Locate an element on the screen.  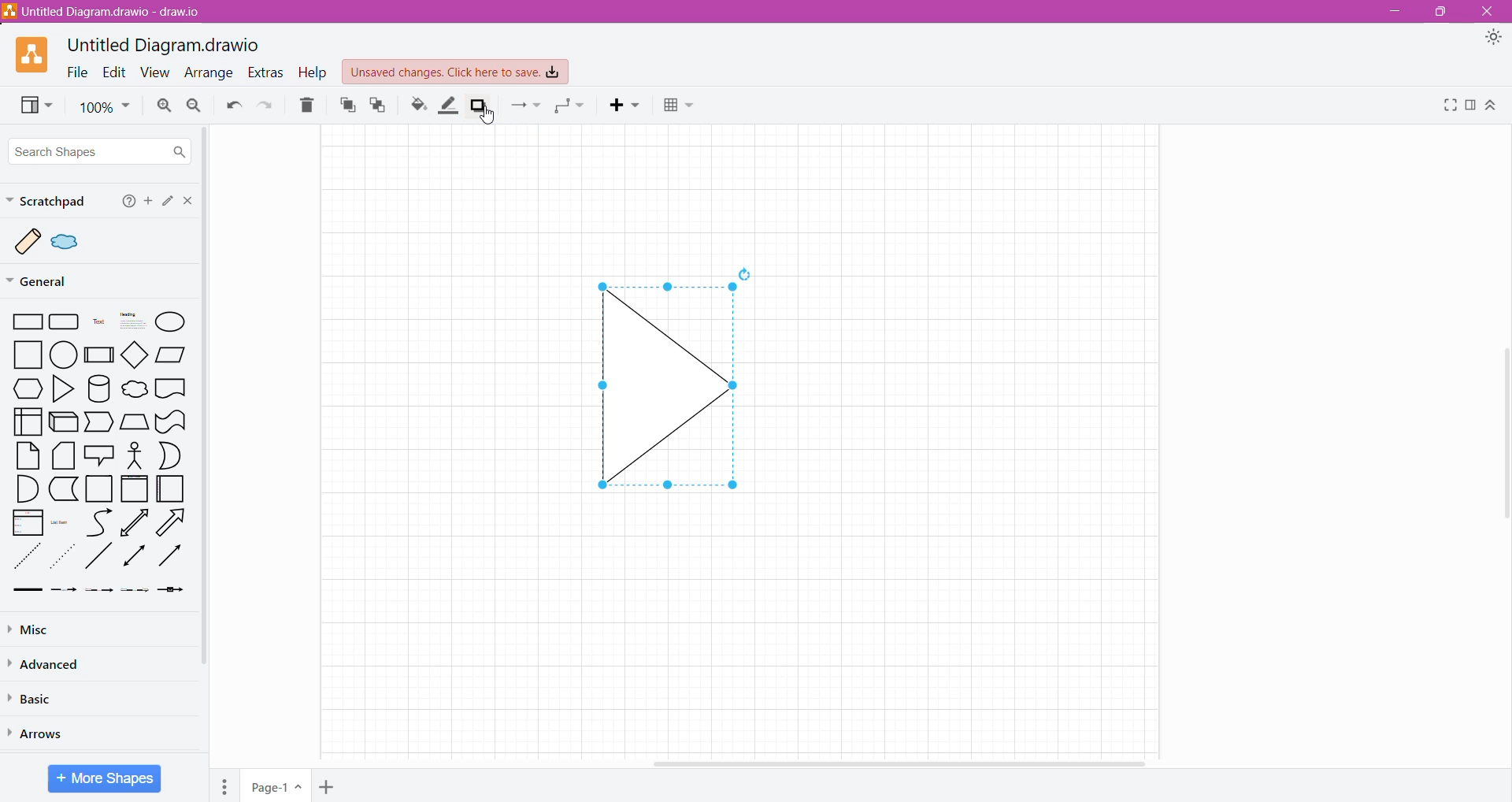
Add Page is located at coordinates (328, 785).